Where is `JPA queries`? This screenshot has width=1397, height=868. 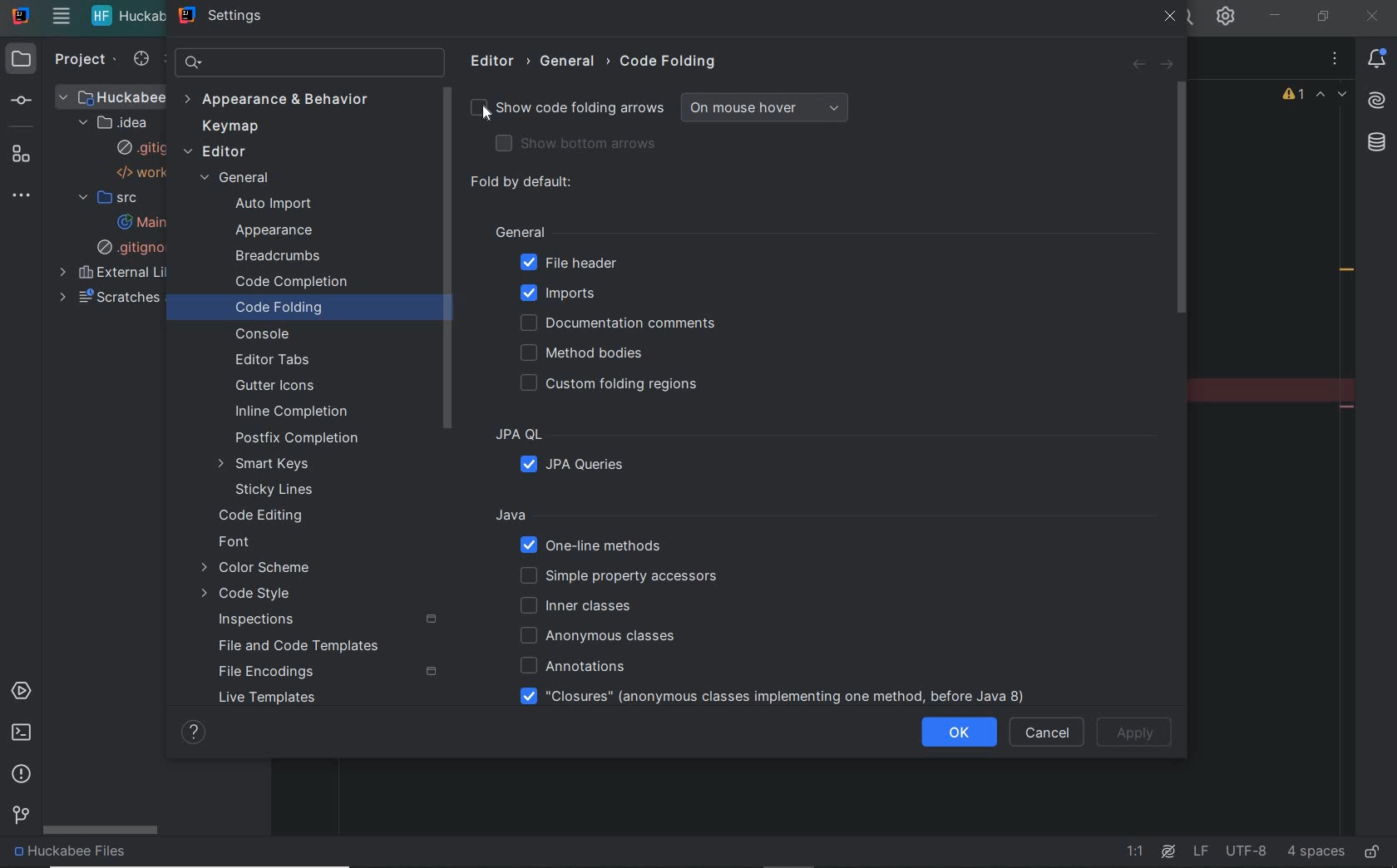
JPA queries is located at coordinates (581, 466).